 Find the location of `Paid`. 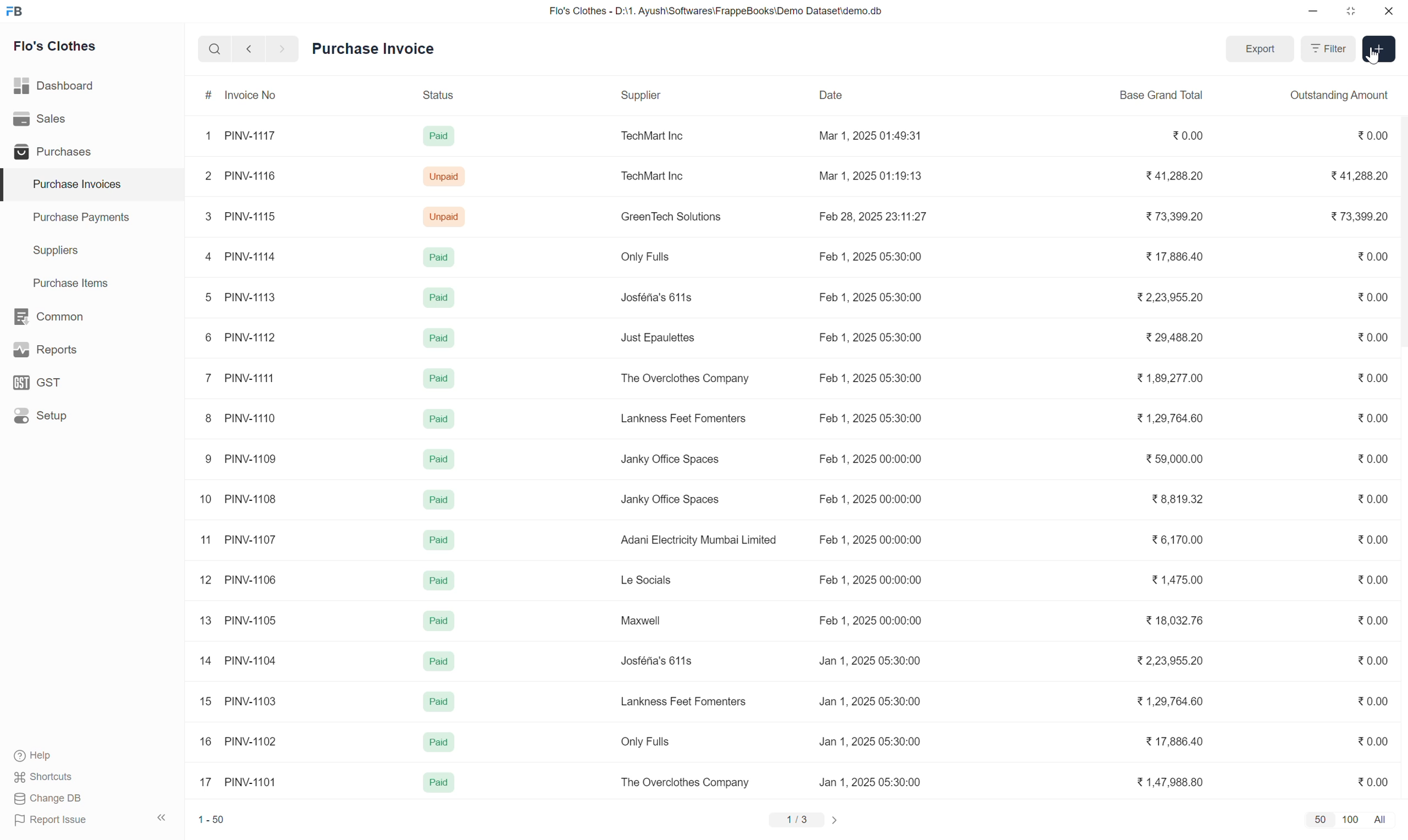

Paid is located at coordinates (438, 619).